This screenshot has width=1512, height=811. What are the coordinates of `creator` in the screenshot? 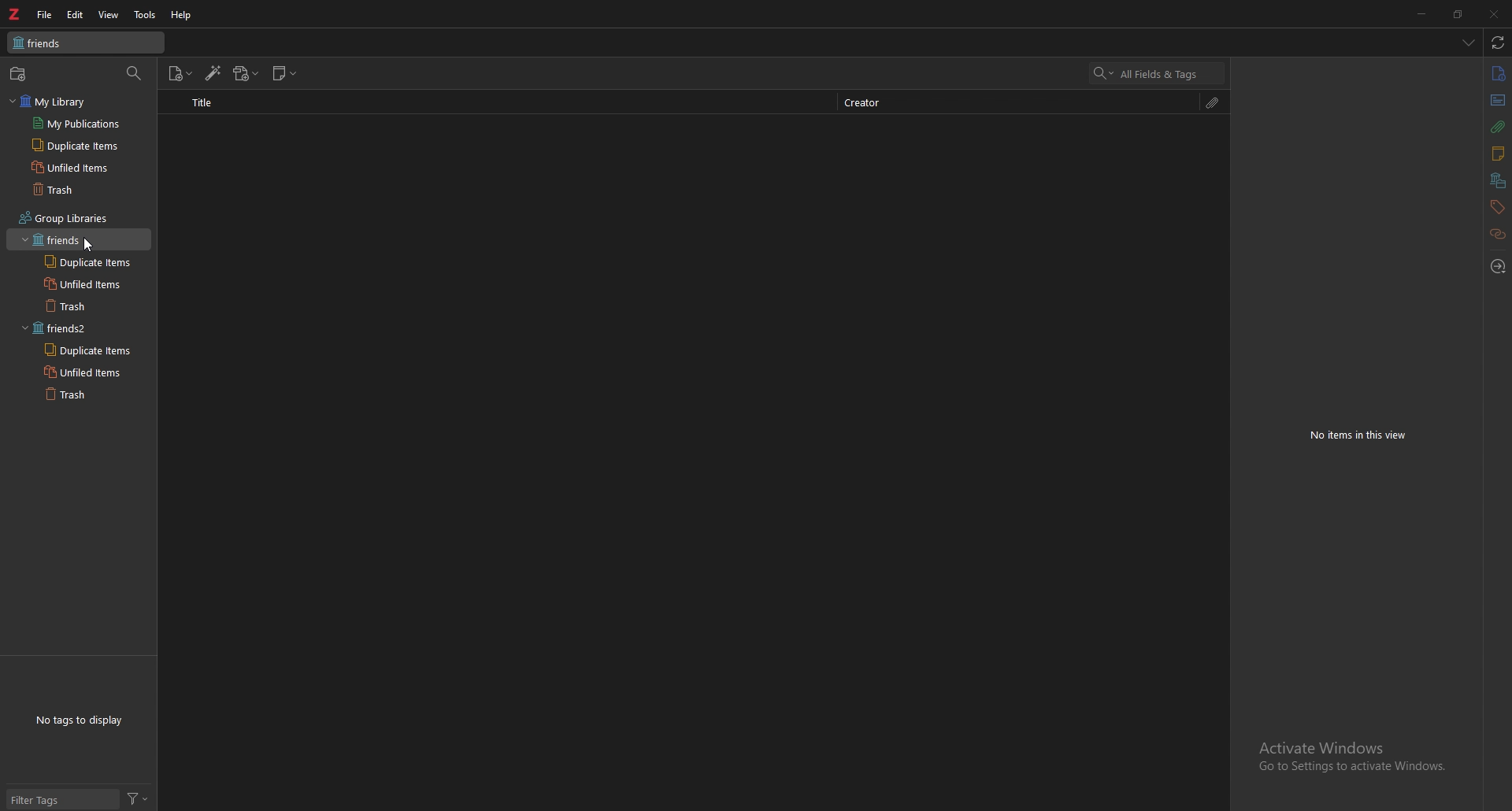 It's located at (879, 101).